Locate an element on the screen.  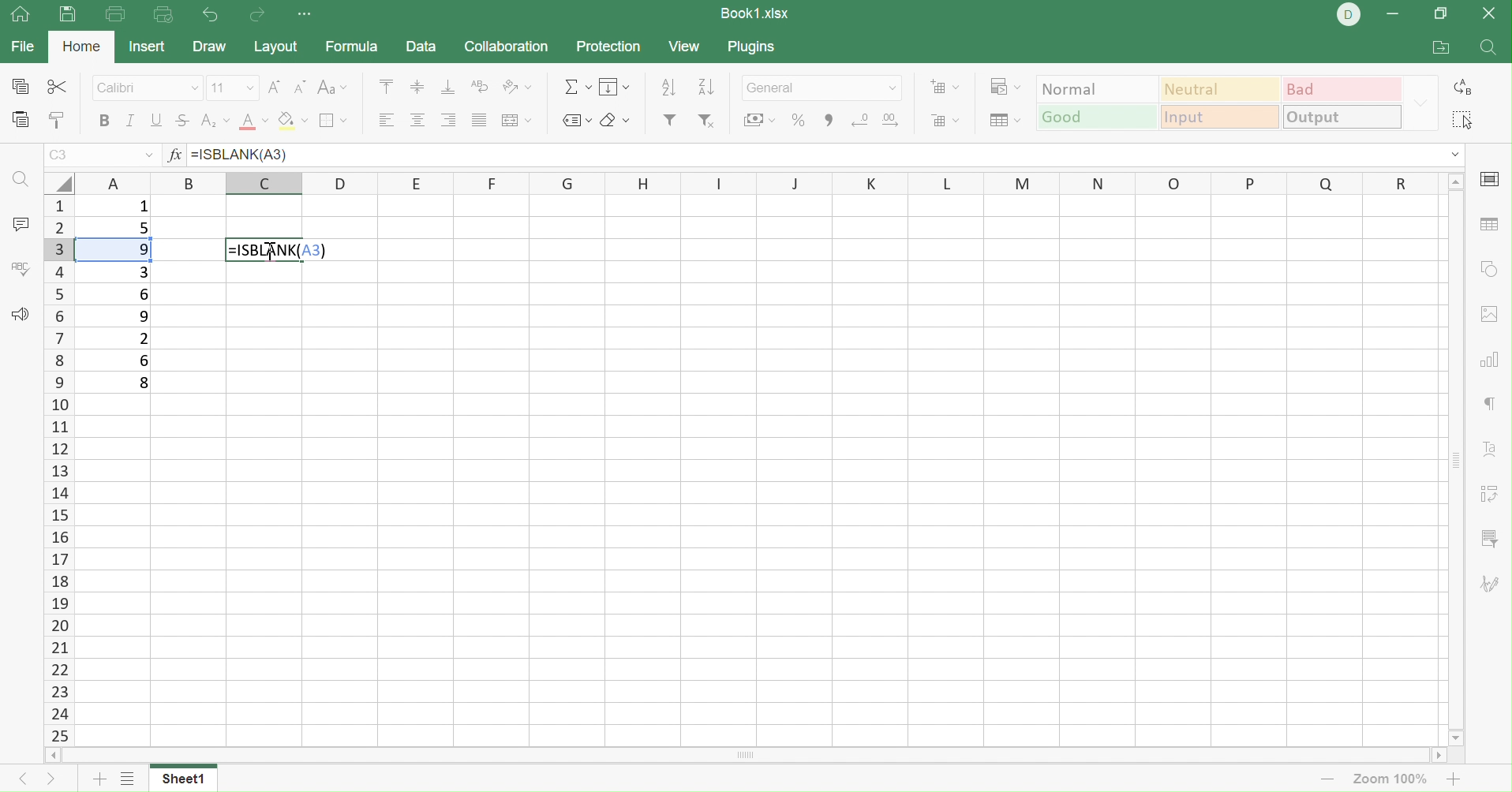
Minimize is located at coordinates (1393, 13).